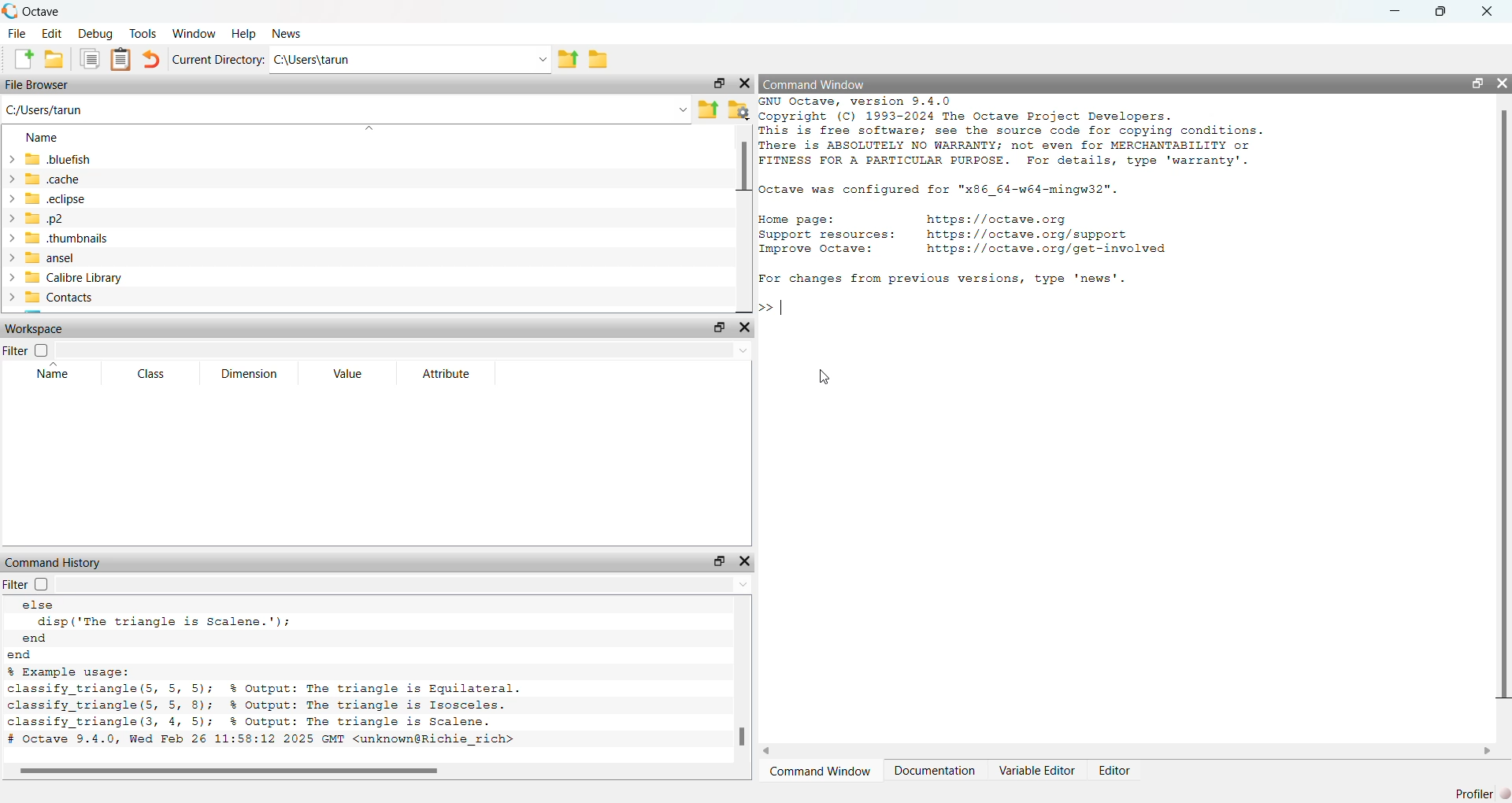 Image resolution: width=1512 pixels, height=803 pixels. What do you see at coordinates (48, 160) in the screenshot?
I see `.bluefish` at bounding box center [48, 160].